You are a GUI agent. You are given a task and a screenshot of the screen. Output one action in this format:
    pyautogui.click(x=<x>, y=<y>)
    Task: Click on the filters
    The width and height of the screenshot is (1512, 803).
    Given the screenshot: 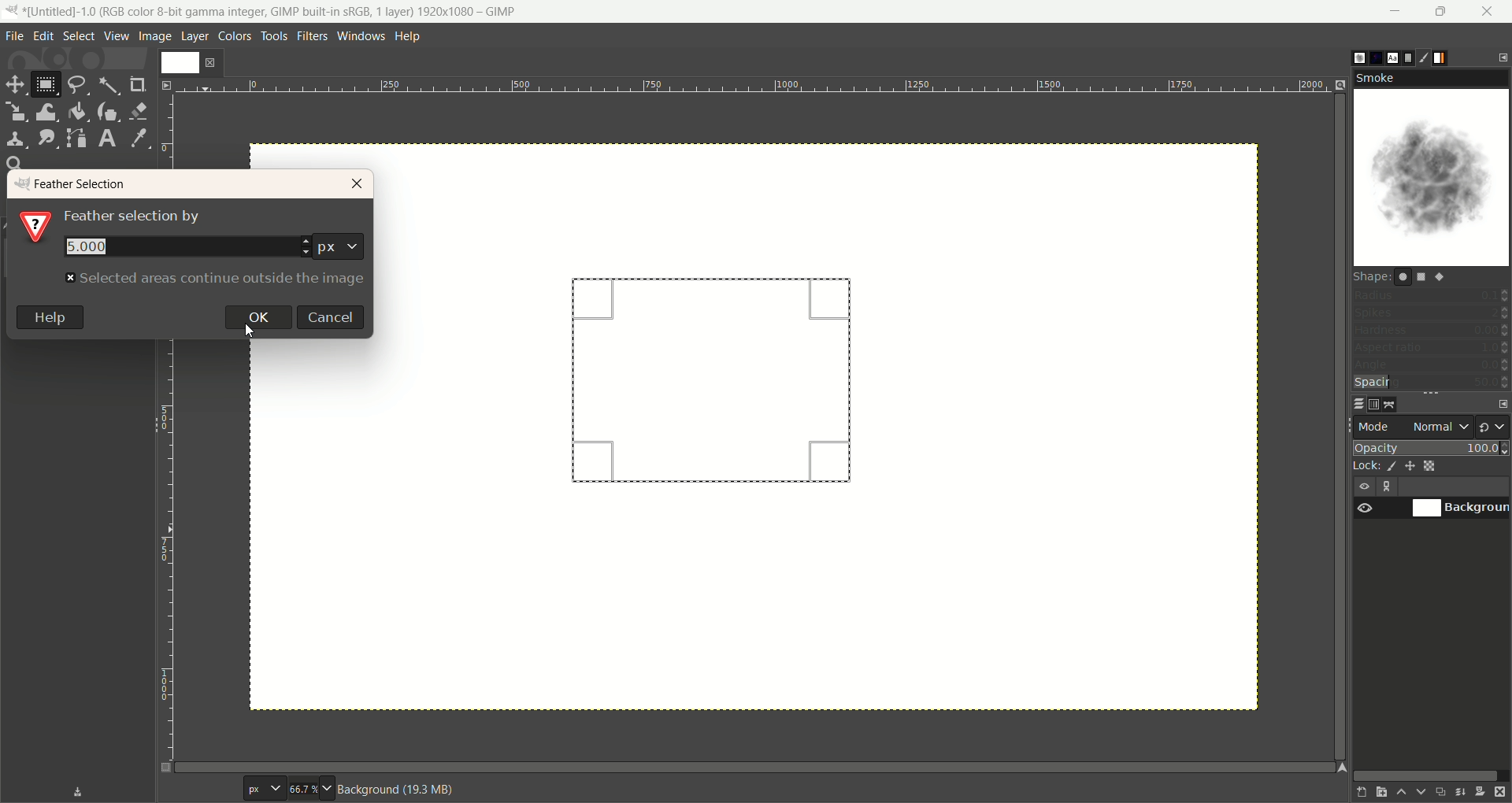 What is the action you would take?
    pyautogui.click(x=311, y=36)
    